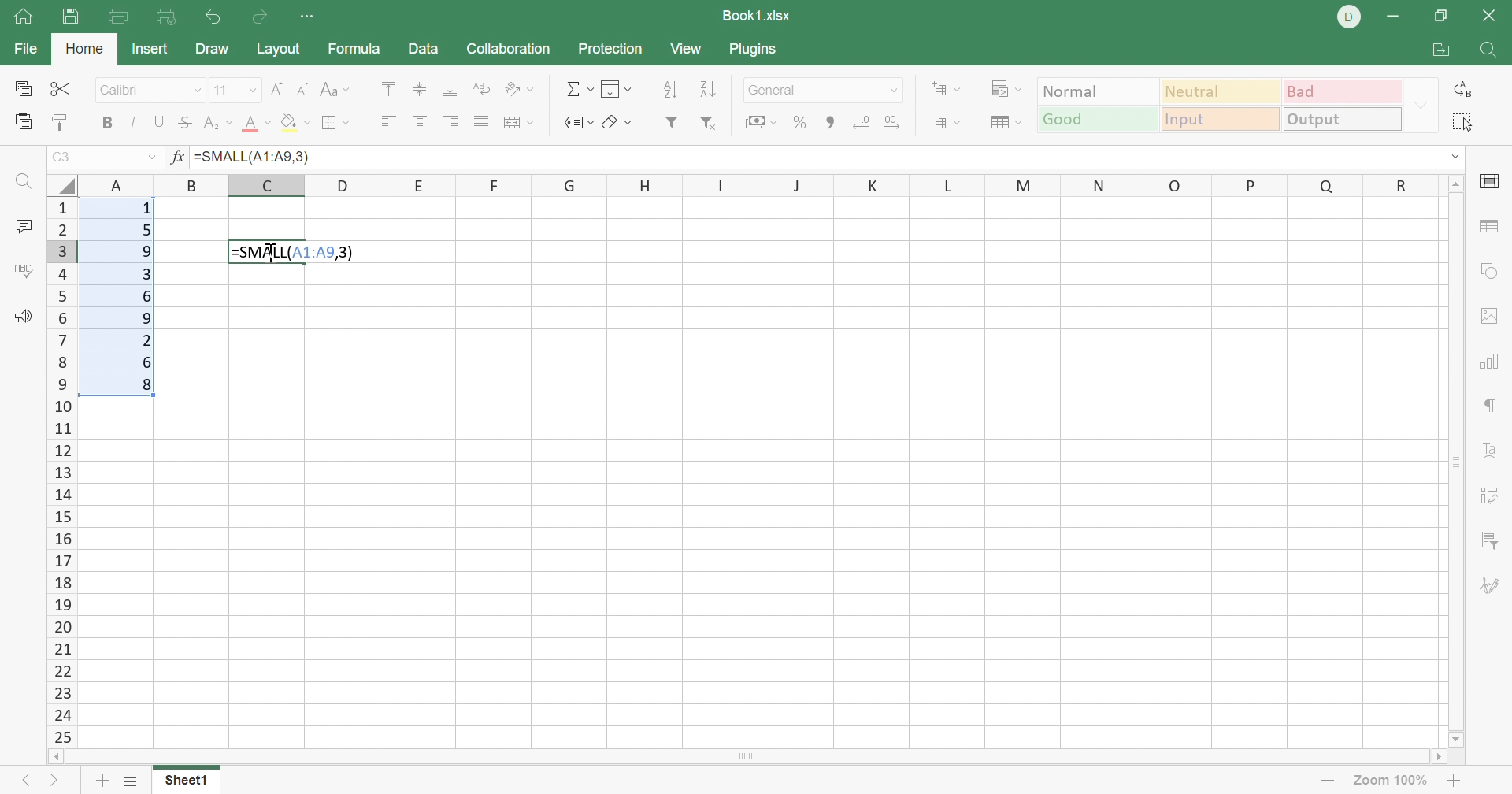  Describe the element at coordinates (1009, 124) in the screenshot. I see `Format as table template` at that location.